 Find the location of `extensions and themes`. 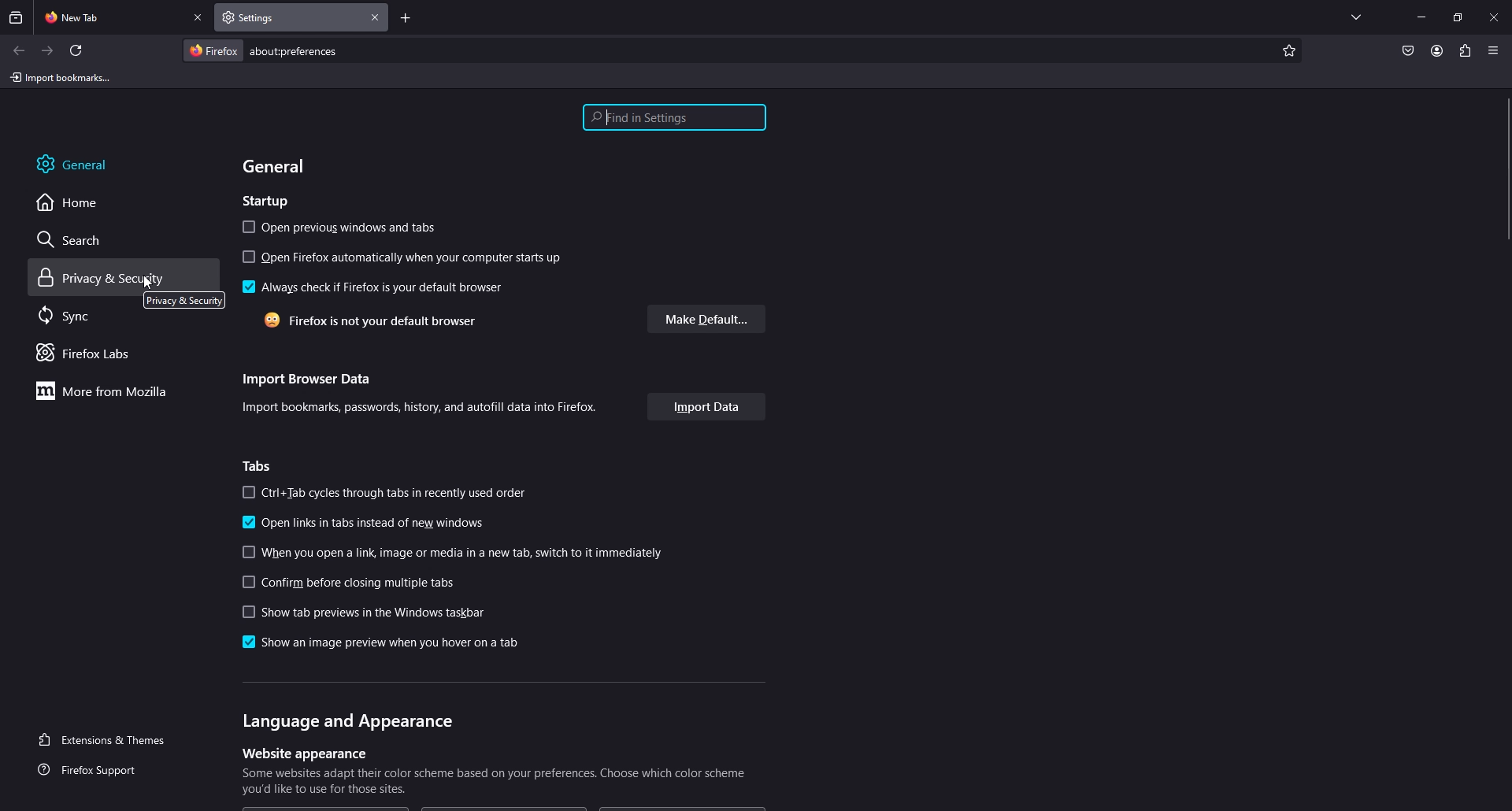

extensions and themes is located at coordinates (112, 738).